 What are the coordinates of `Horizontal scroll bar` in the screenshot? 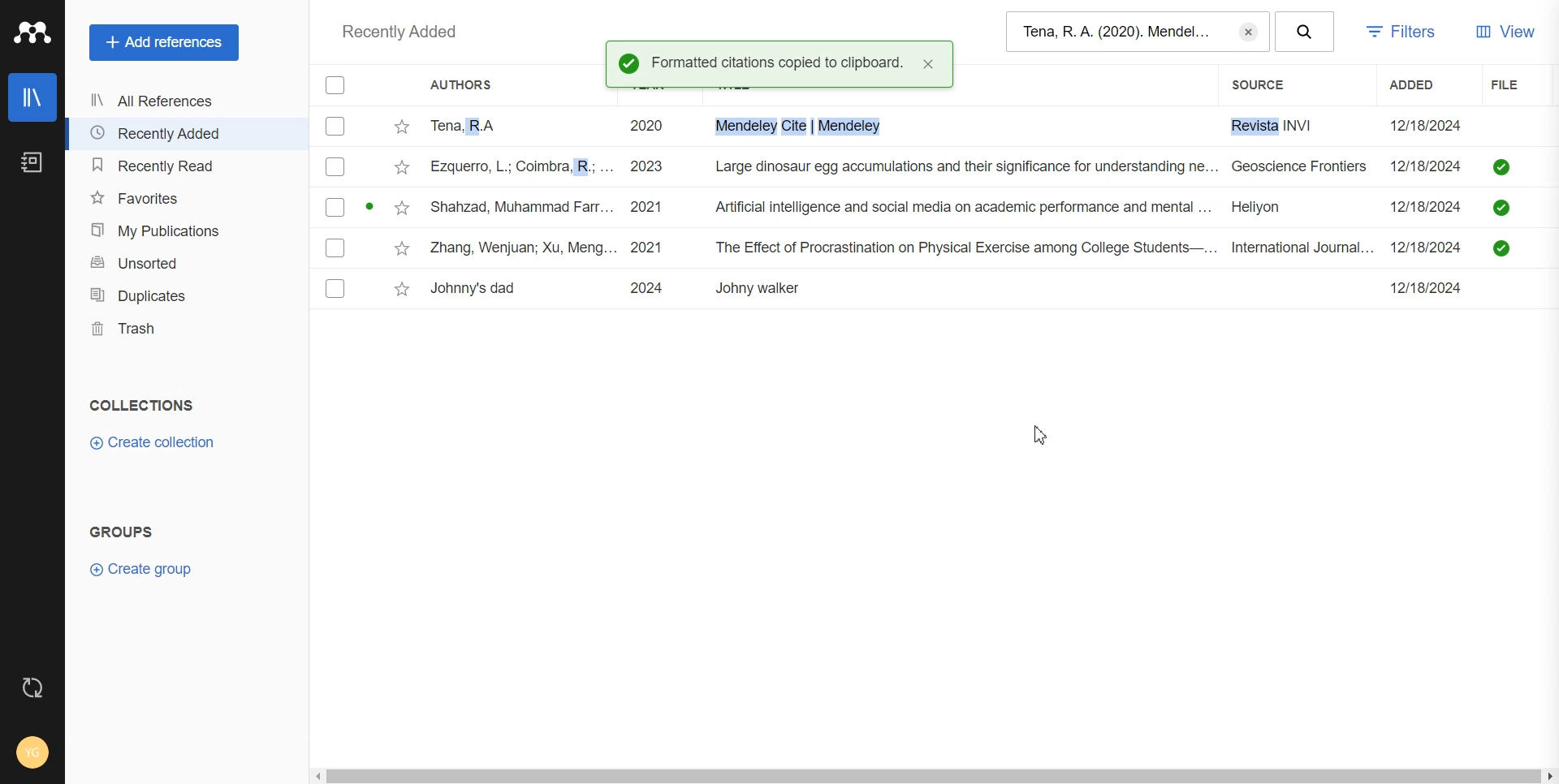 It's located at (934, 777).